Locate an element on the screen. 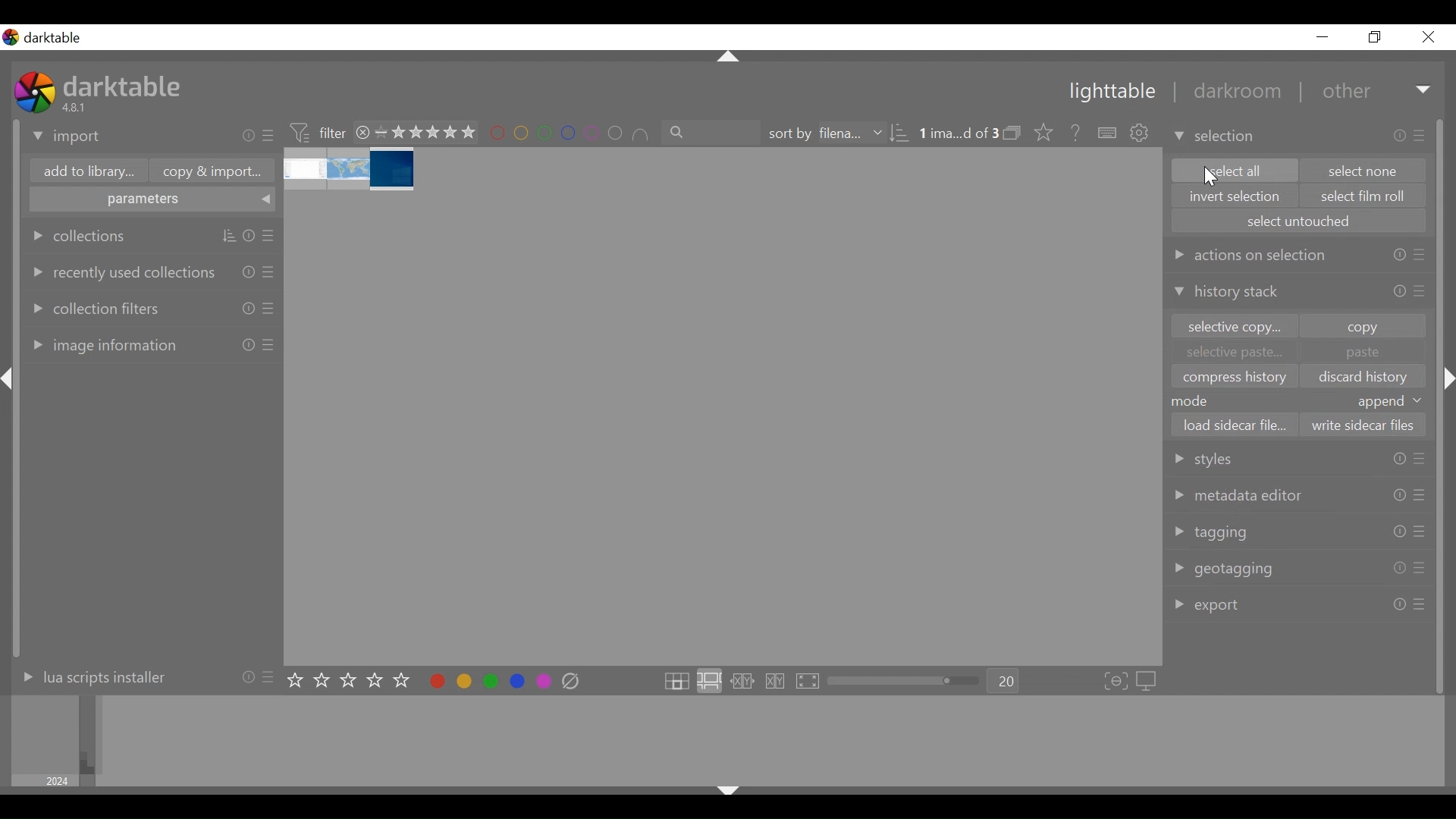 This screenshot has width=1456, height=819. parameters is located at coordinates (153, 201).